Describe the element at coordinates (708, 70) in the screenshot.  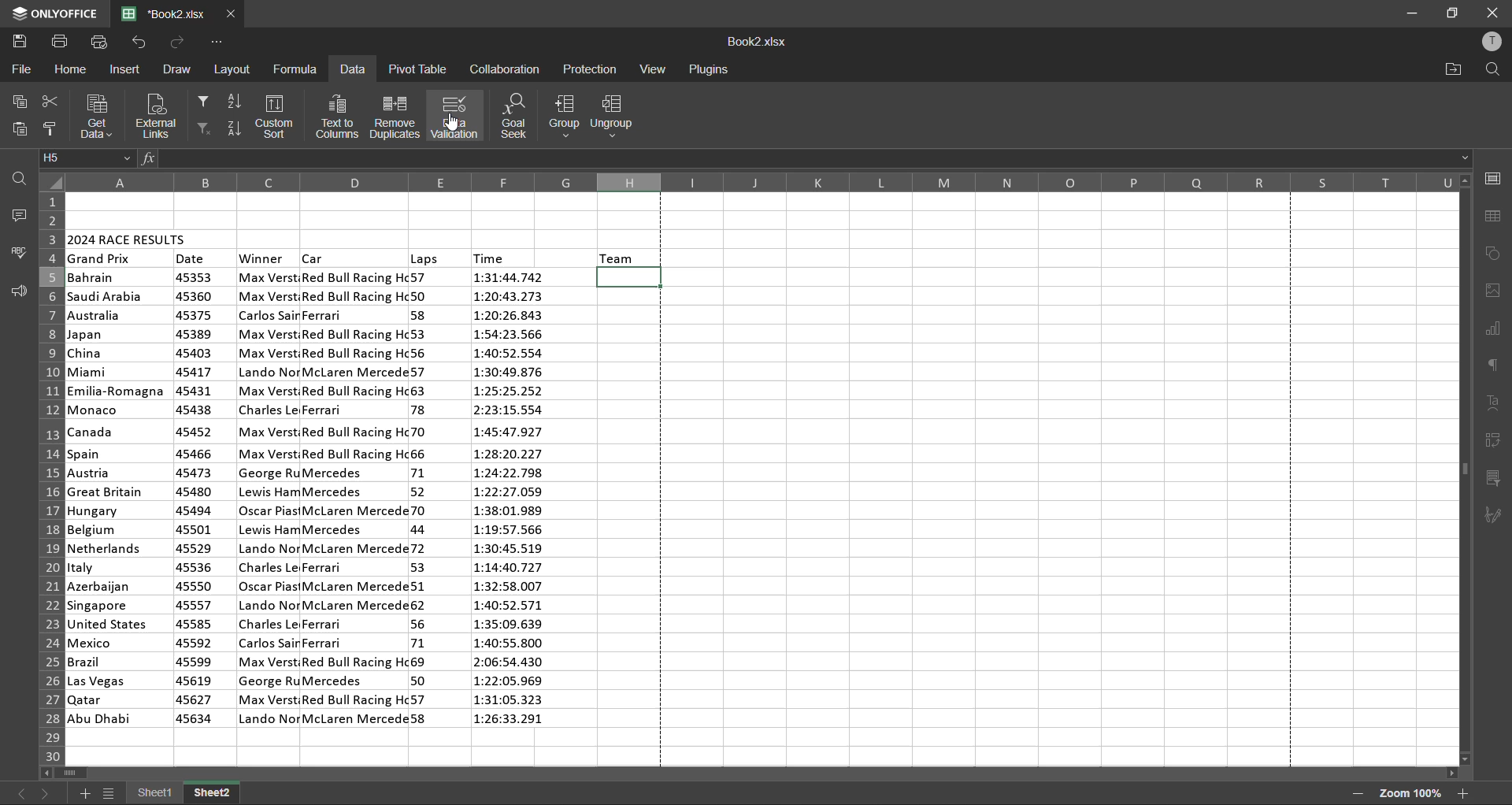
I see `plugins` at that location.